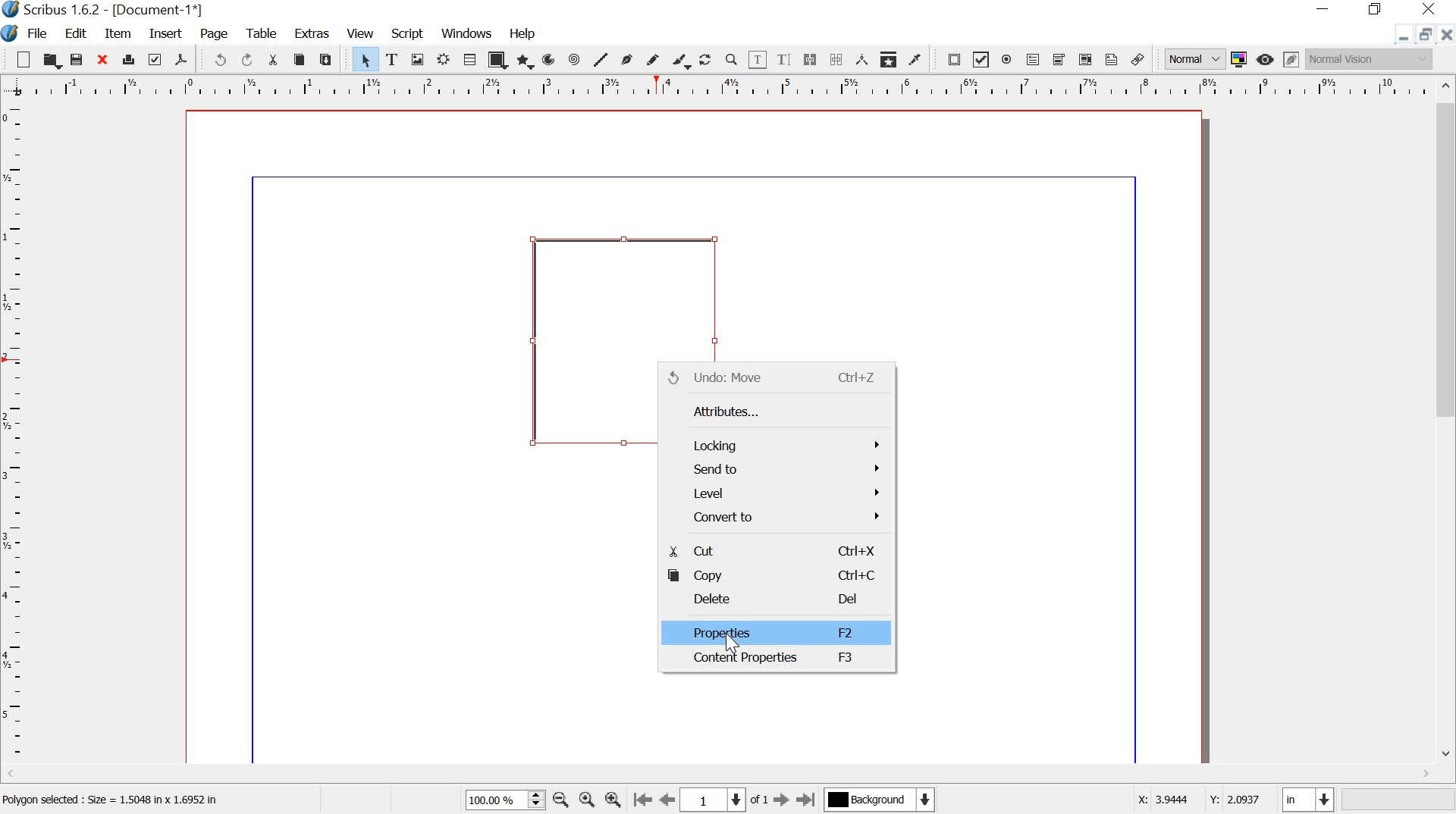 Image resolution: width=1456 pixels, height=814 pixels. What do you see at coordinates (246, 61) in the screenshot?
I see `redo` at bounding box center [246, 61].